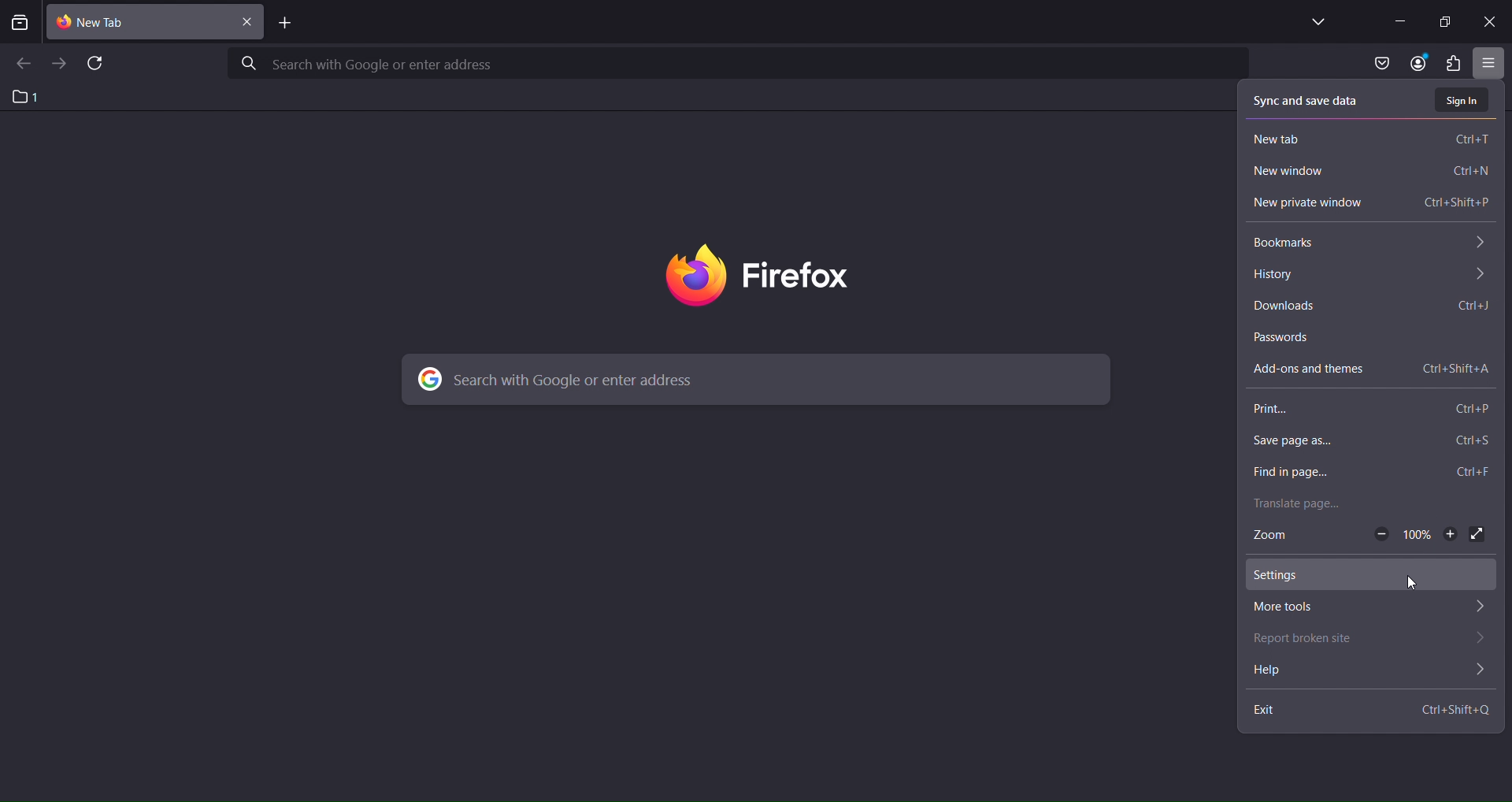 This screenshot has height=802, width=1512. I want to click on report broken site, so click(1375, 639).